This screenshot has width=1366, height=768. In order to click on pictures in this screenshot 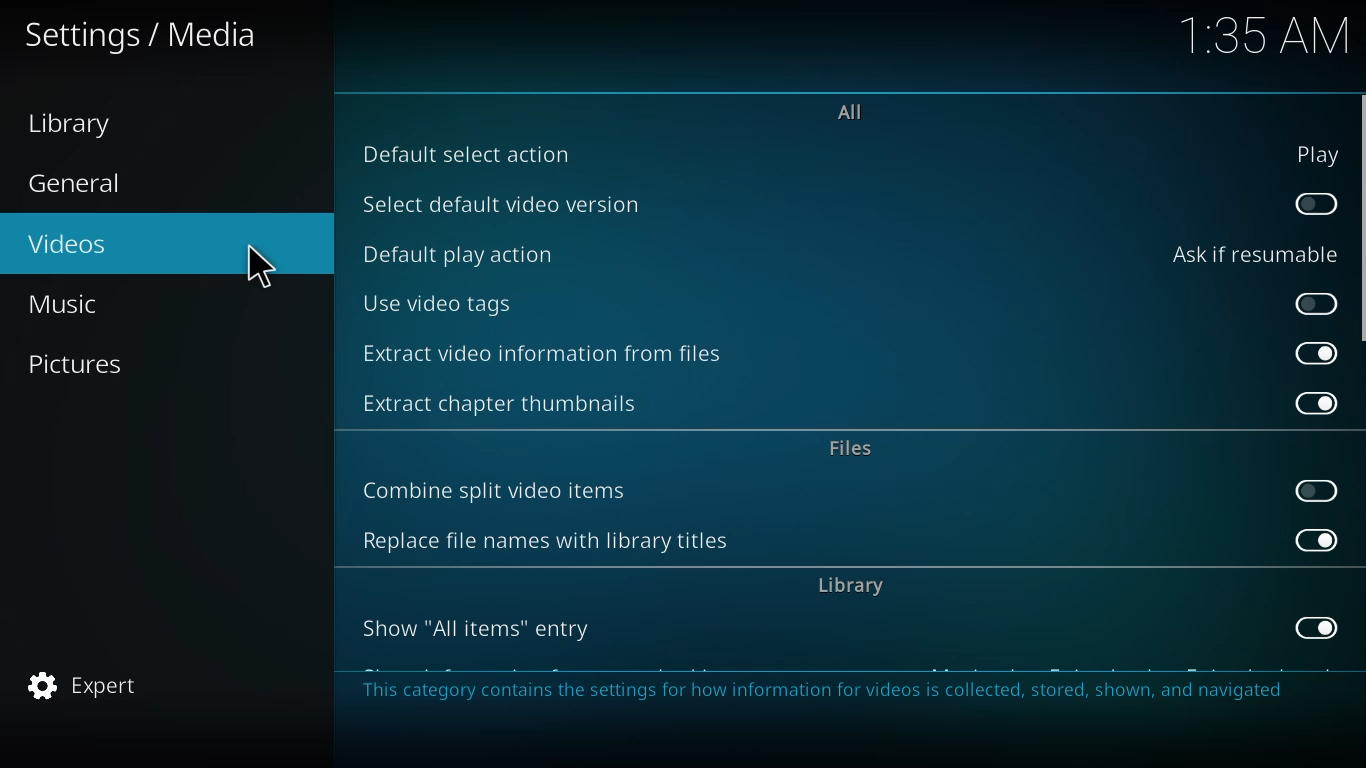, I will do `click(79, 363)`.